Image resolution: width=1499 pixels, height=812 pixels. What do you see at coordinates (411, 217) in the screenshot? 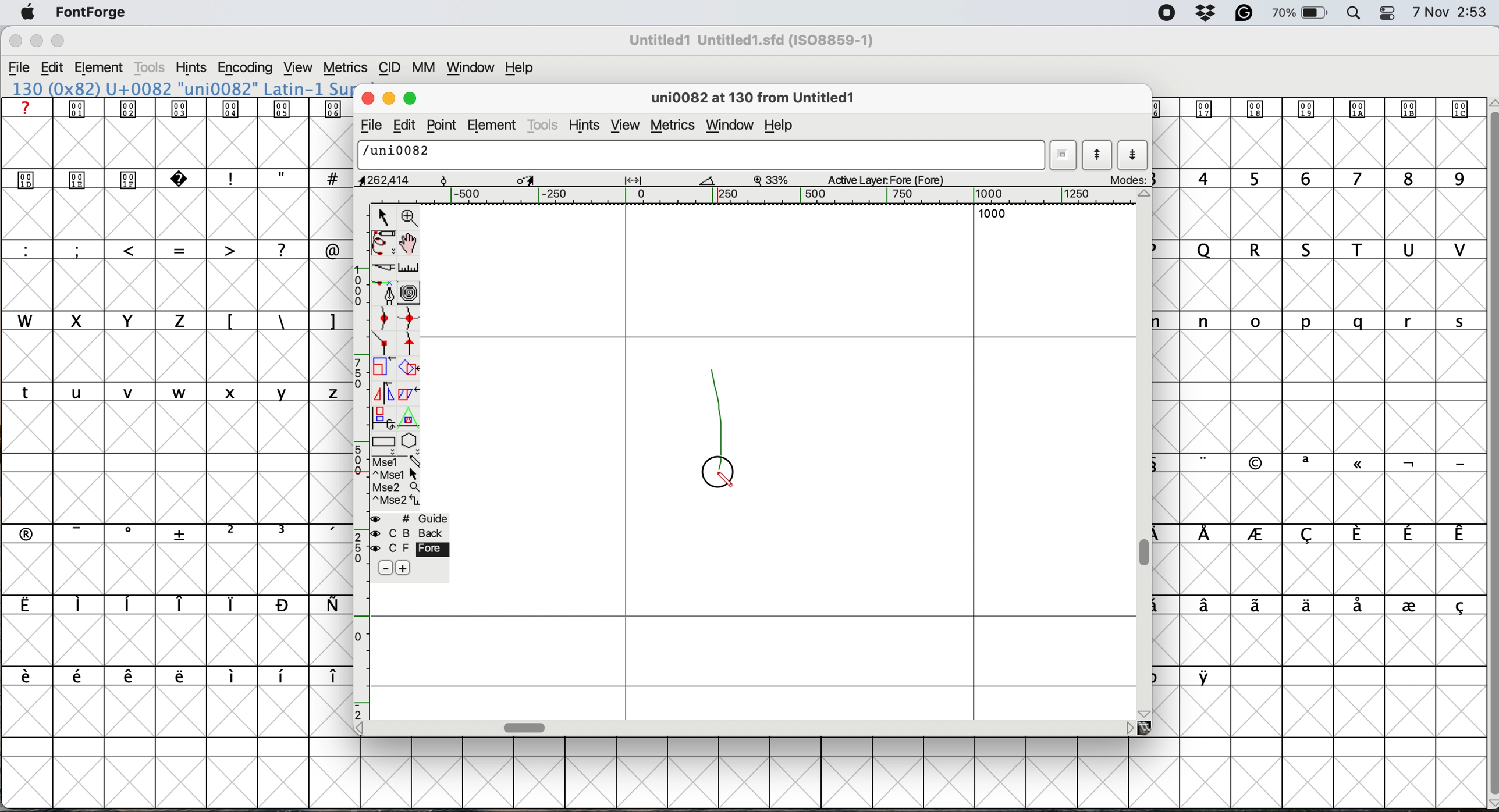
I see `zoom in` at bounding box center [411, 217].